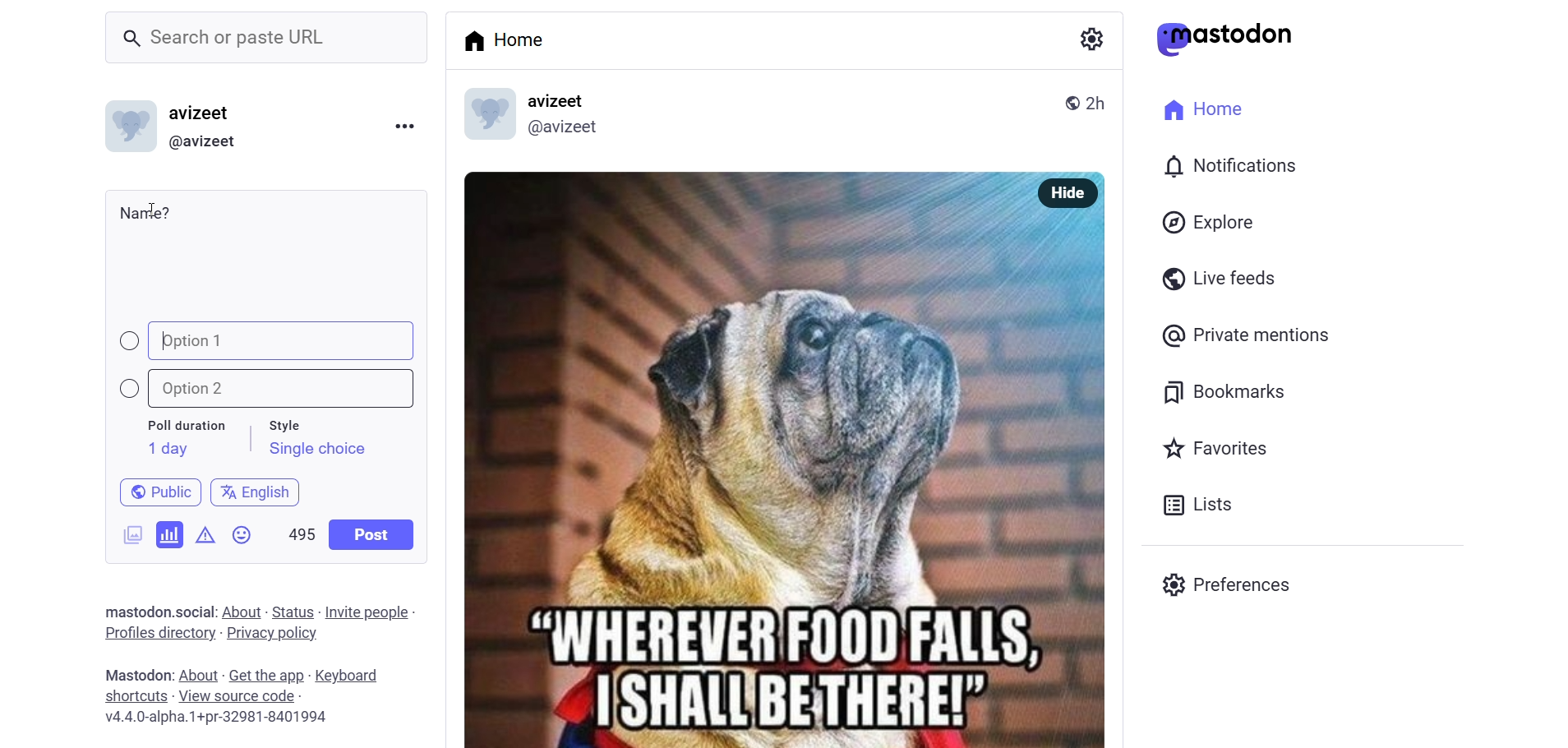  I want to click on @avizeet, so click(562, 131).